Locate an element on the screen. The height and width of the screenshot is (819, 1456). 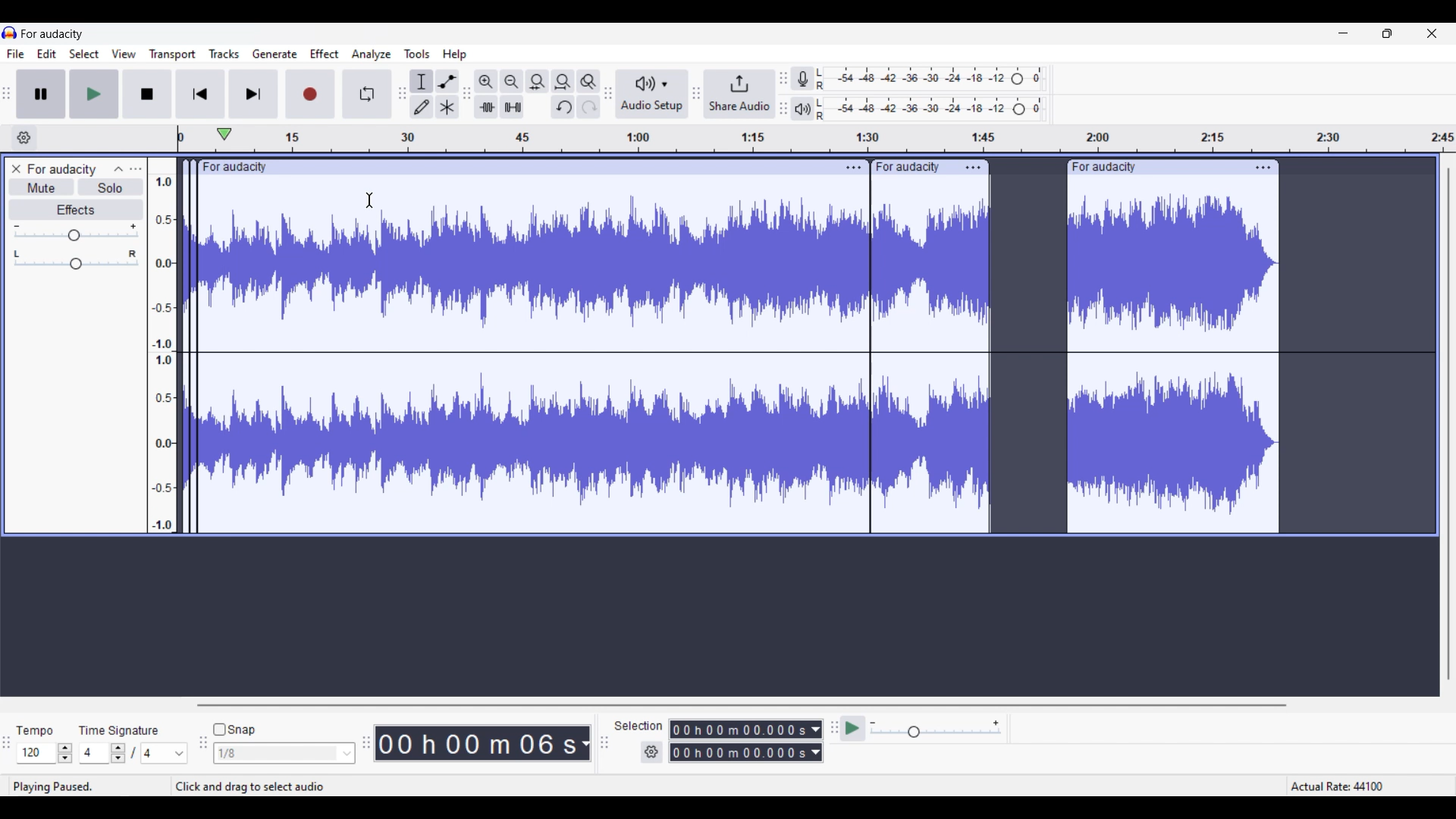
silence audio selection is located at coordinates (513, 106).